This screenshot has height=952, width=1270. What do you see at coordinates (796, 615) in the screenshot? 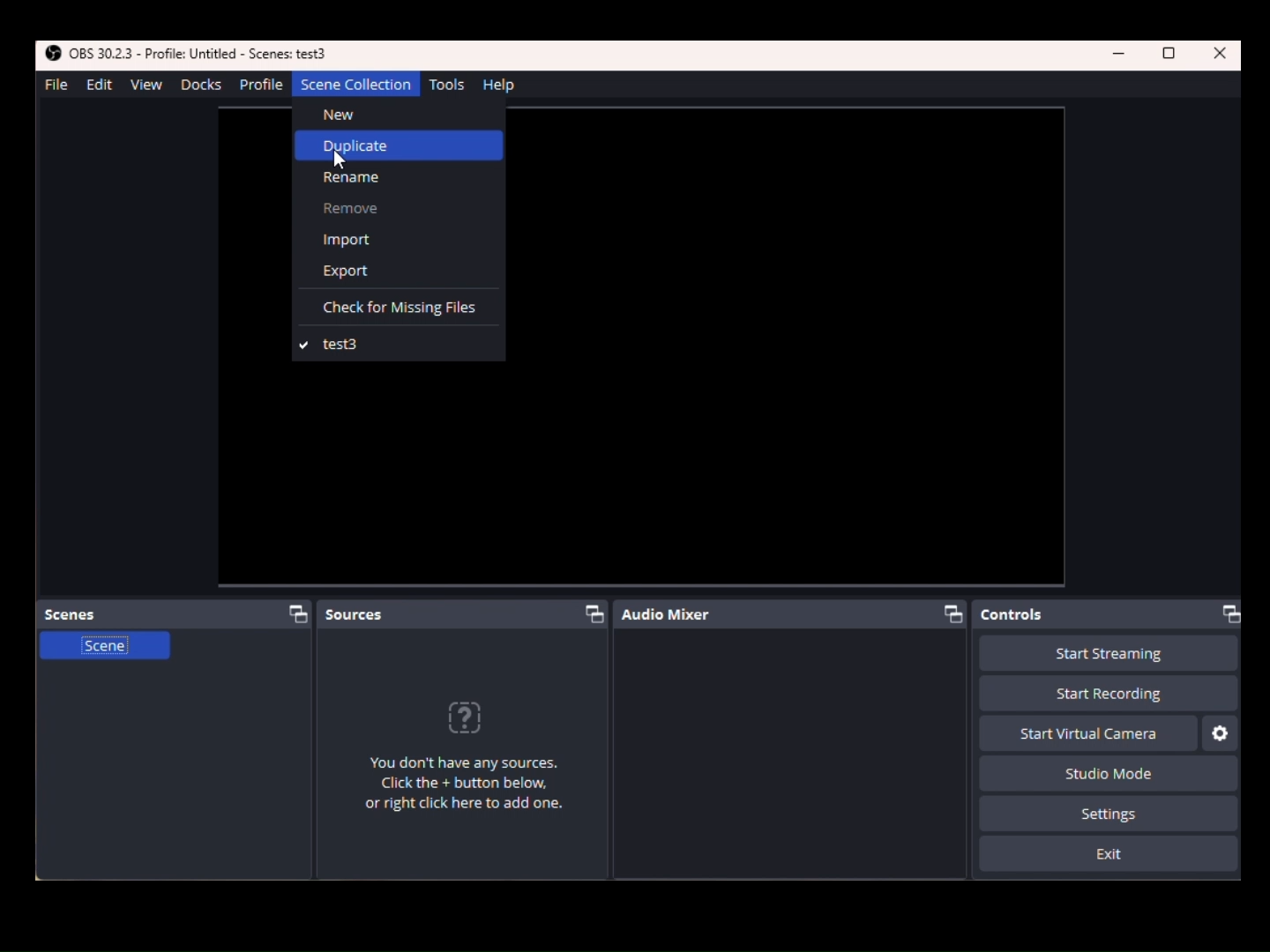
I see `Audio Mixer` at bounding box center [796, 615].